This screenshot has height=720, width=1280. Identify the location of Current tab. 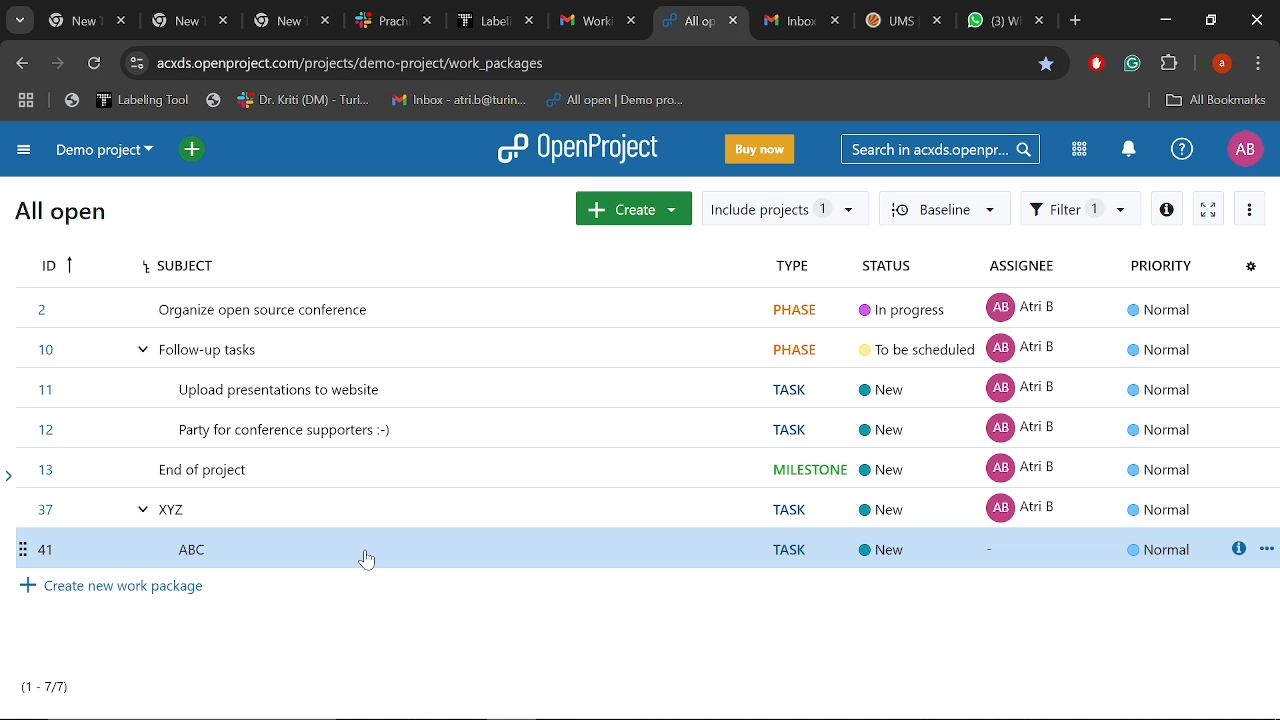
(690, 22).